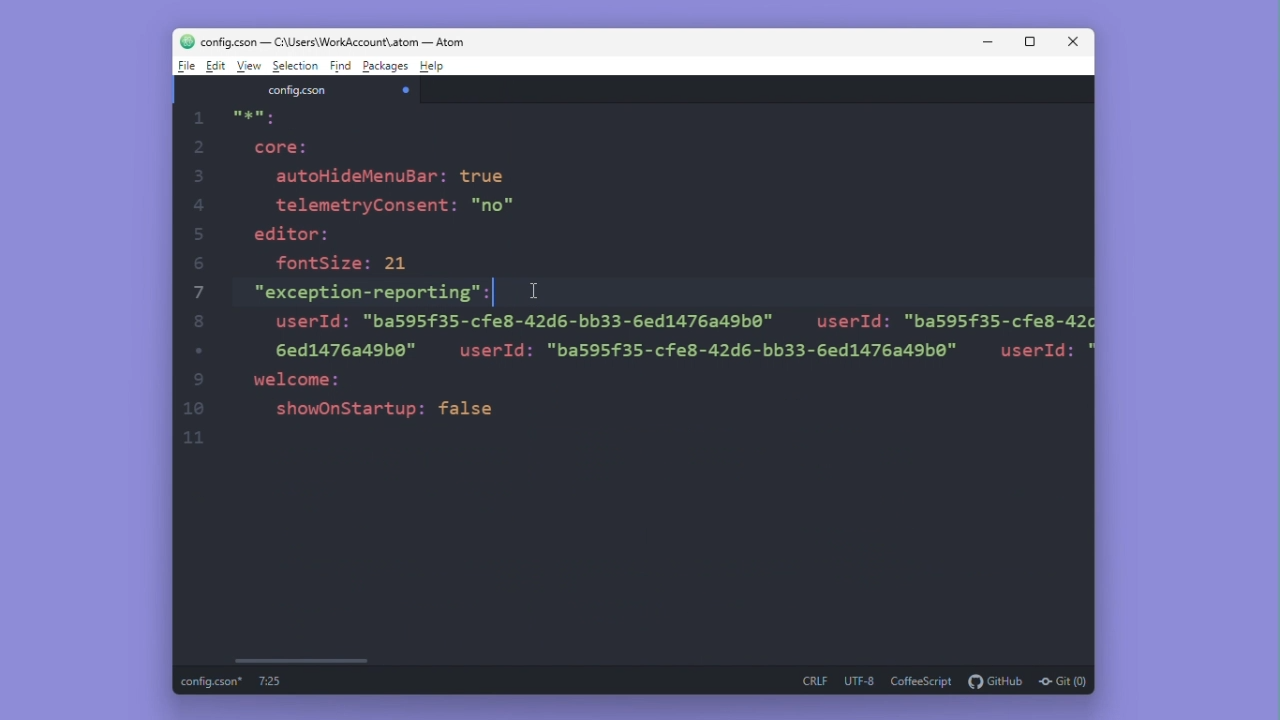 The width and height of the screenshot is (1280, 720). Describe the element at coordinates (535, 292) in the screenshot. I see `cursor` at that location.